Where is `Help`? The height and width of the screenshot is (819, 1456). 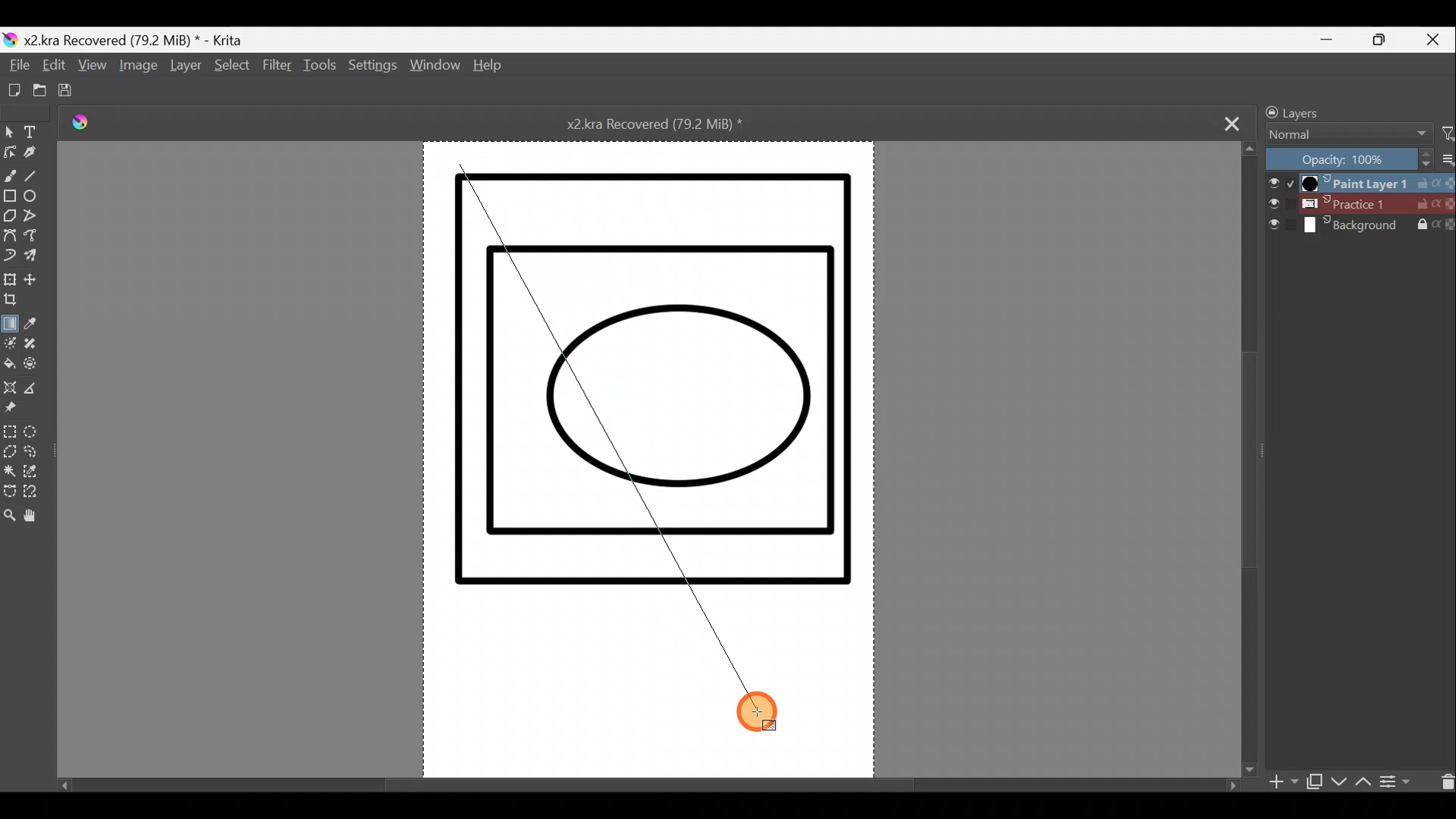 Help is located at coordinates (488, 67).